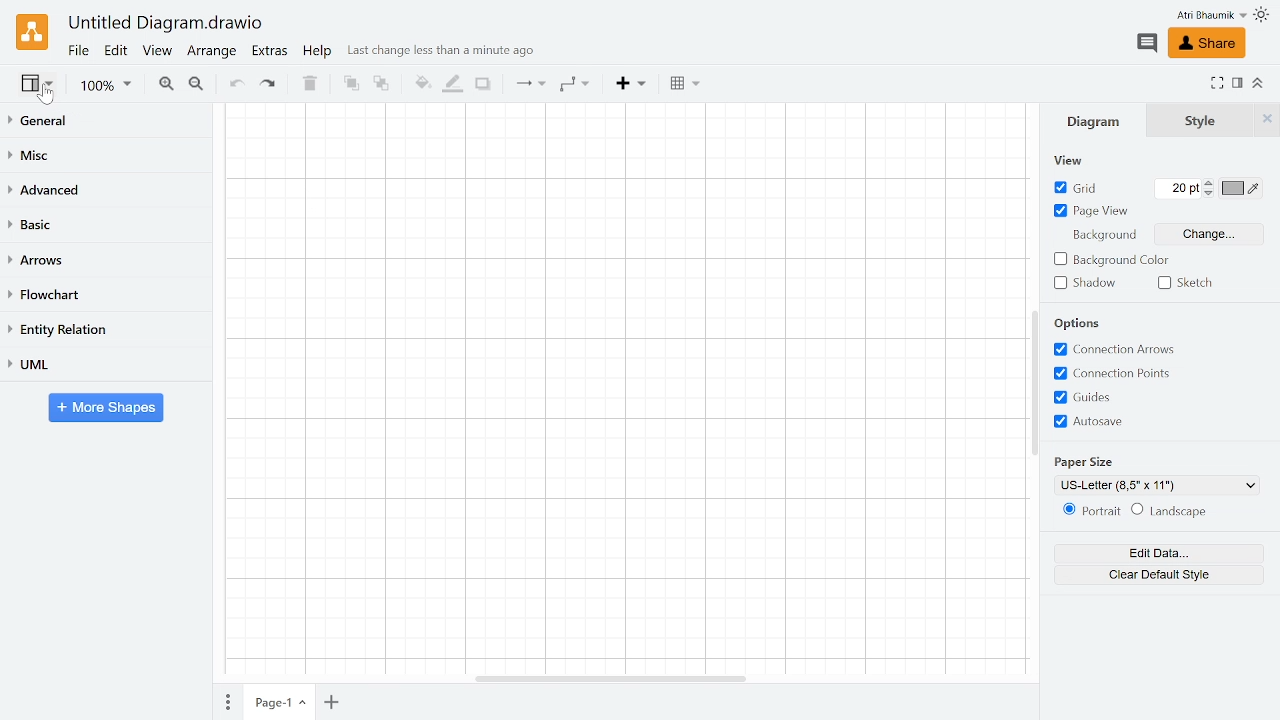  Describe the element at coordinates (631, 85) in the screenshot. I see `Insert` at that location.